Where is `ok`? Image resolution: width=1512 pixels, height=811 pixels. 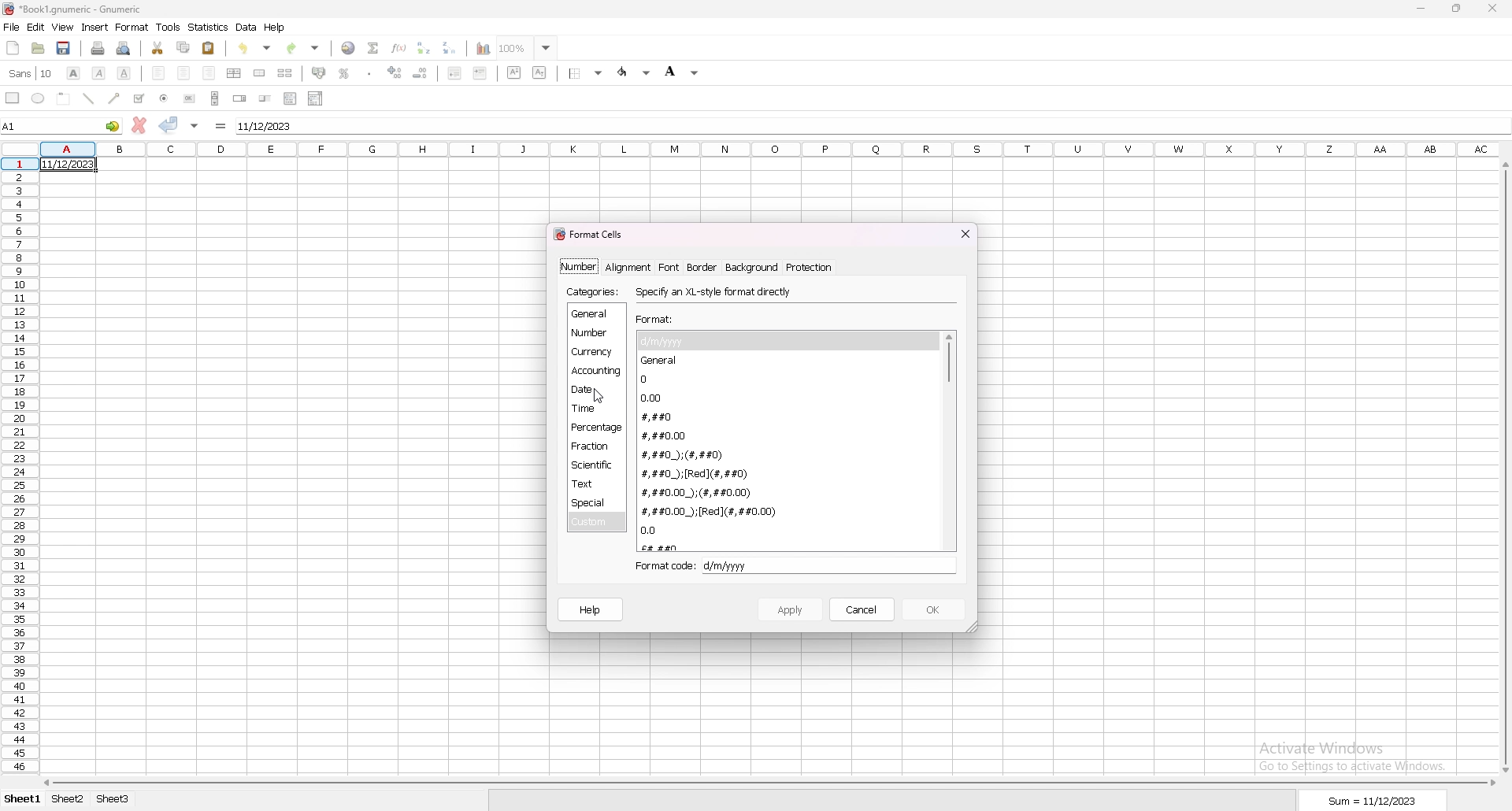
ok is located at coordinates (935, 609).